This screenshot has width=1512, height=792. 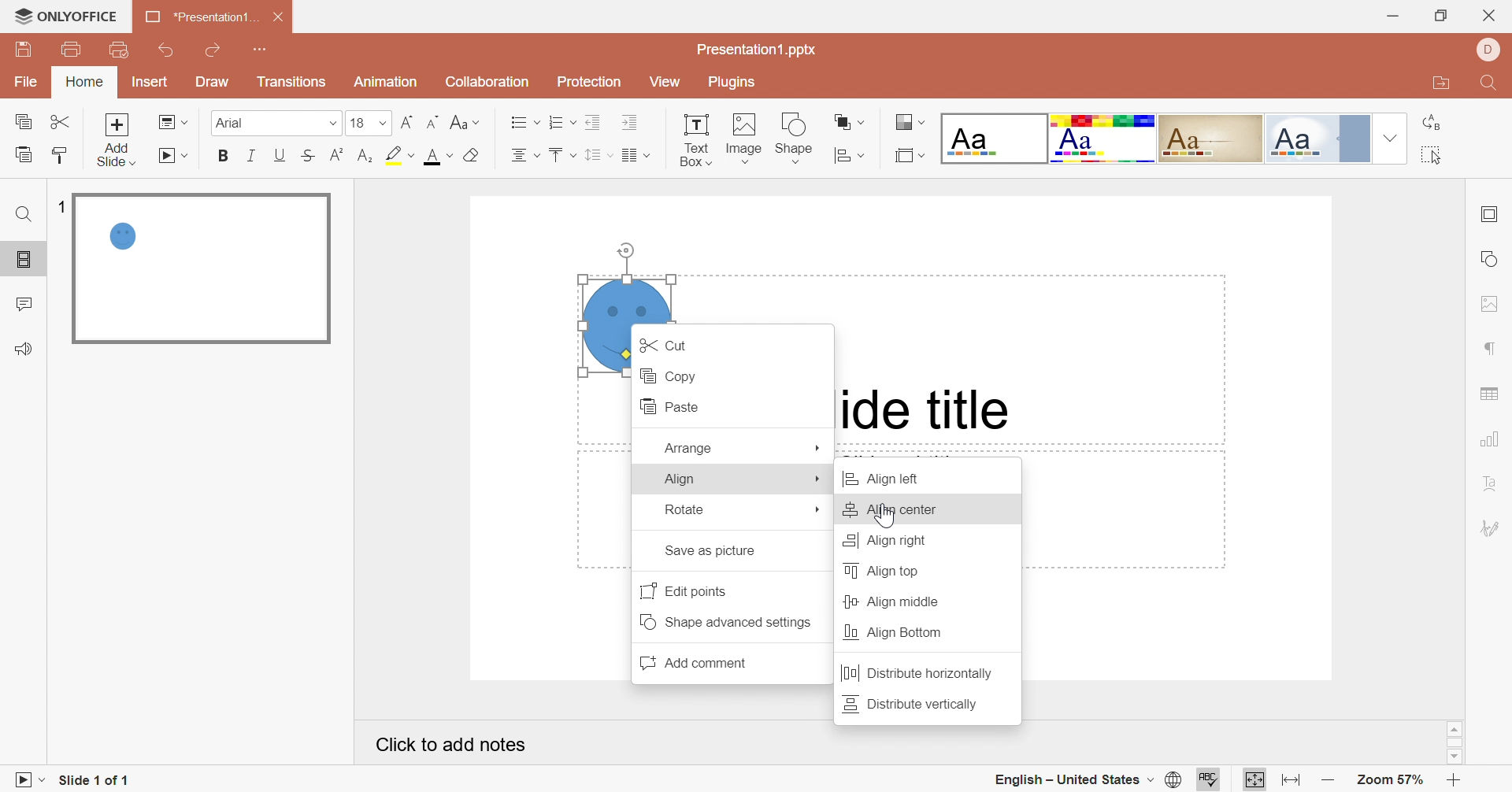 What do you see at coordinates (1492, 260) in the screenshot?
I see `shape settings` at bounding box center [1492, 260].